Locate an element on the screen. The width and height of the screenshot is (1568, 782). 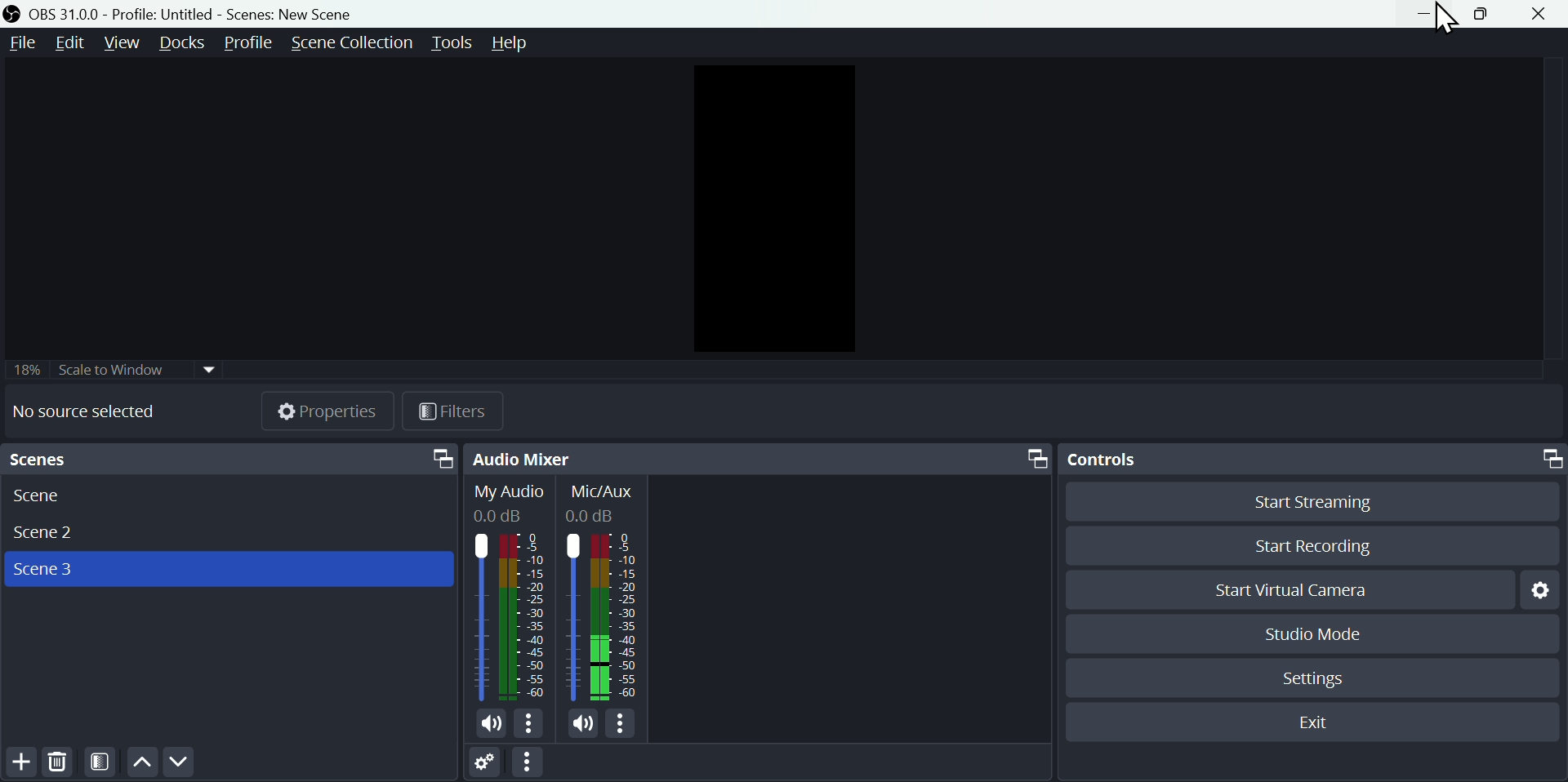
No source selected is located at coordinates (91, 411).